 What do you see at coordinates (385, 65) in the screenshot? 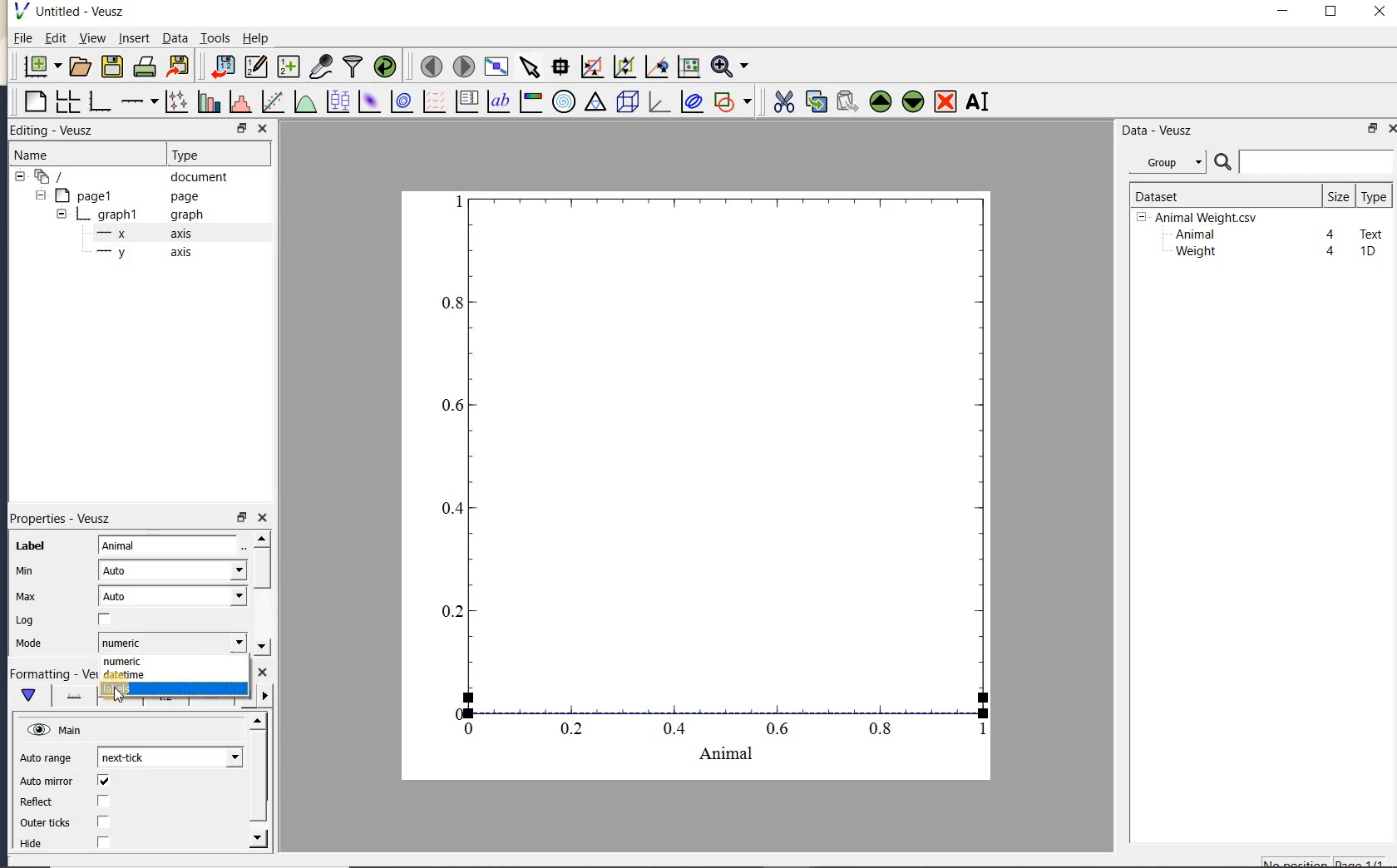
I see `reload linked datasets` at bounding box center [385, 65].